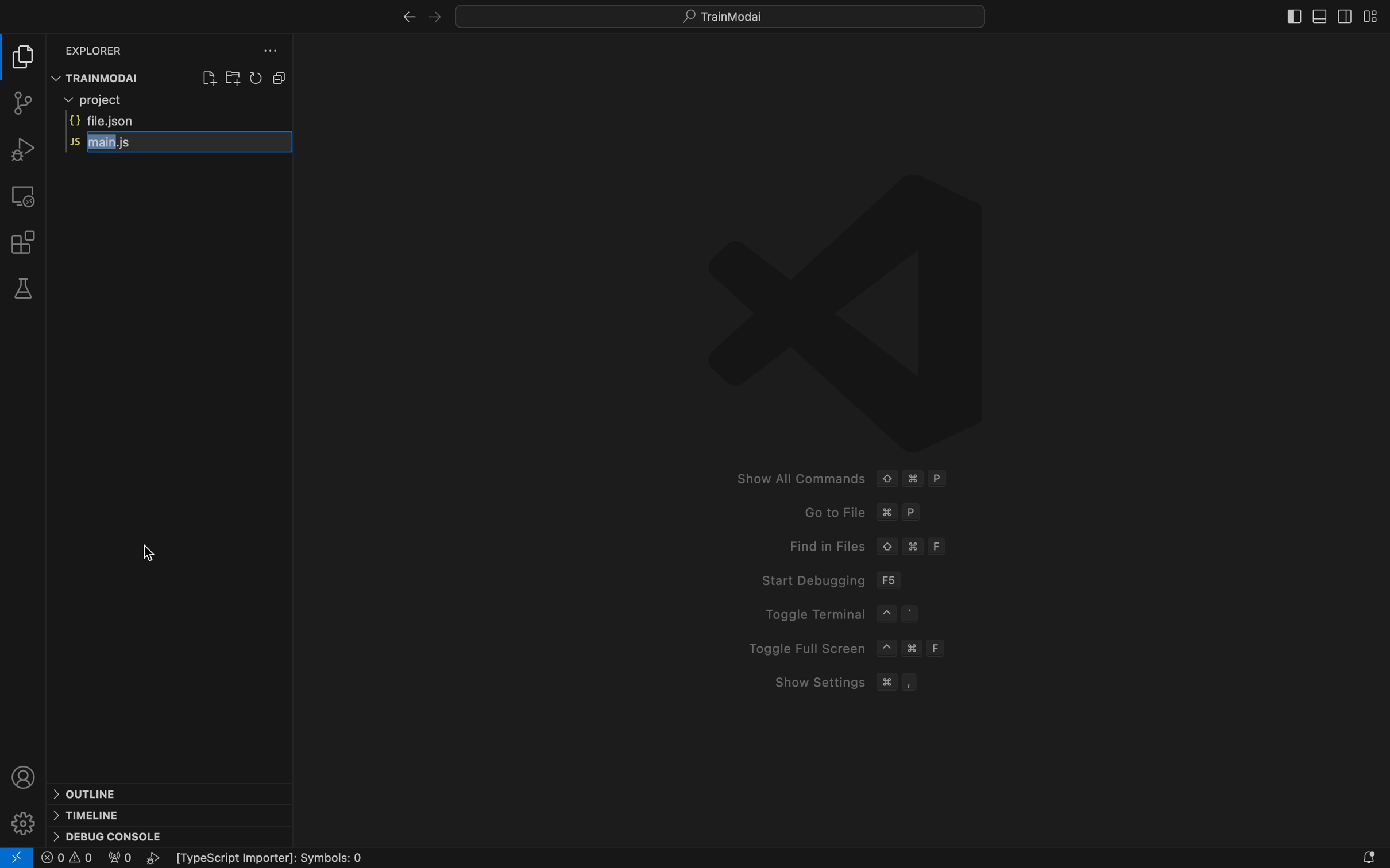 The image size is (1390, 868). Describe the element at coordinates (24, 776) in the screenshot. I see `profile` at that location.